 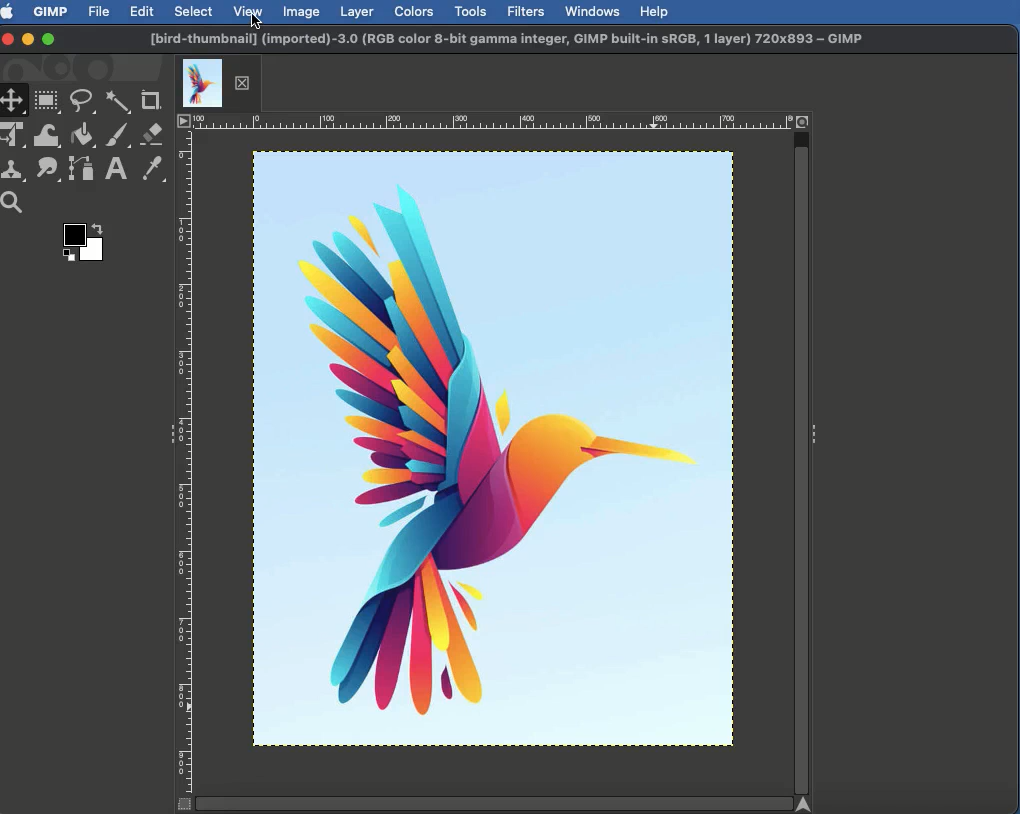 What do you see at coordinates (470, 12) in the screenshot?
I see `Tools` at bounding box center [470, 12].